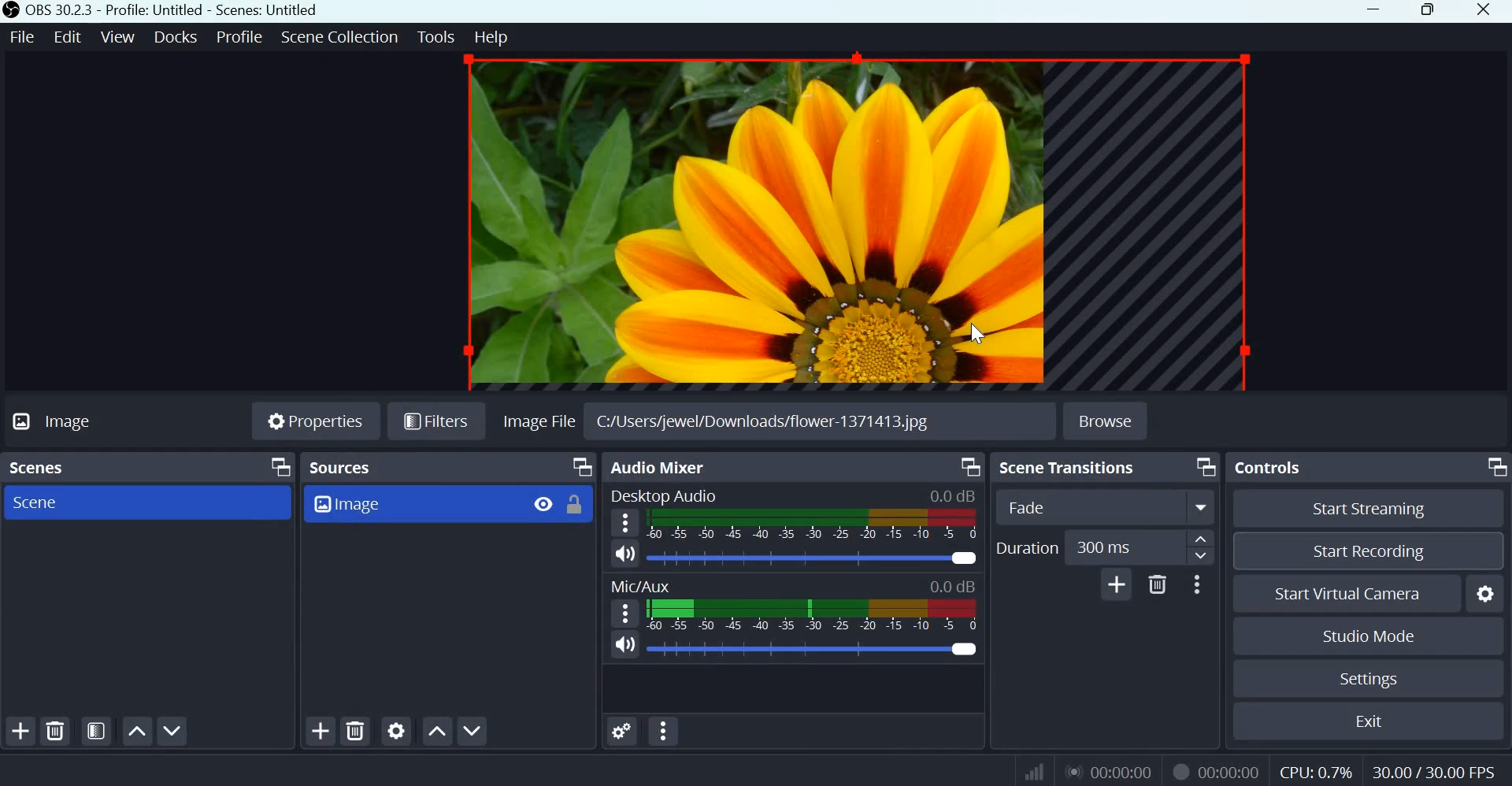  What do you see at coordinates (1370, 510) in the screenshot?
I see `Start streaming` at bounding box center [1370, 510].